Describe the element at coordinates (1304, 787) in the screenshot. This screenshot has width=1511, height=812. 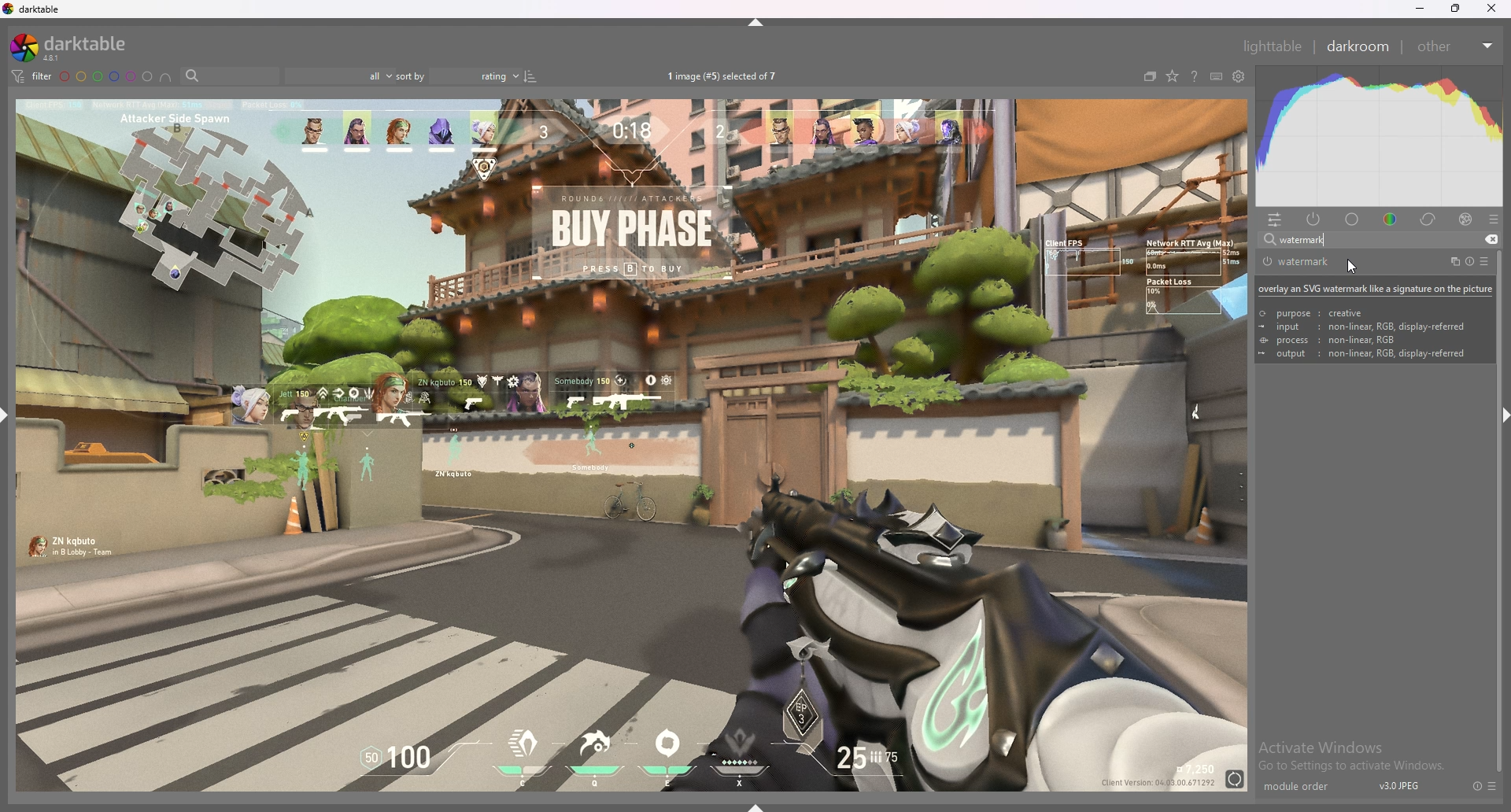
I see `module order` at that location.